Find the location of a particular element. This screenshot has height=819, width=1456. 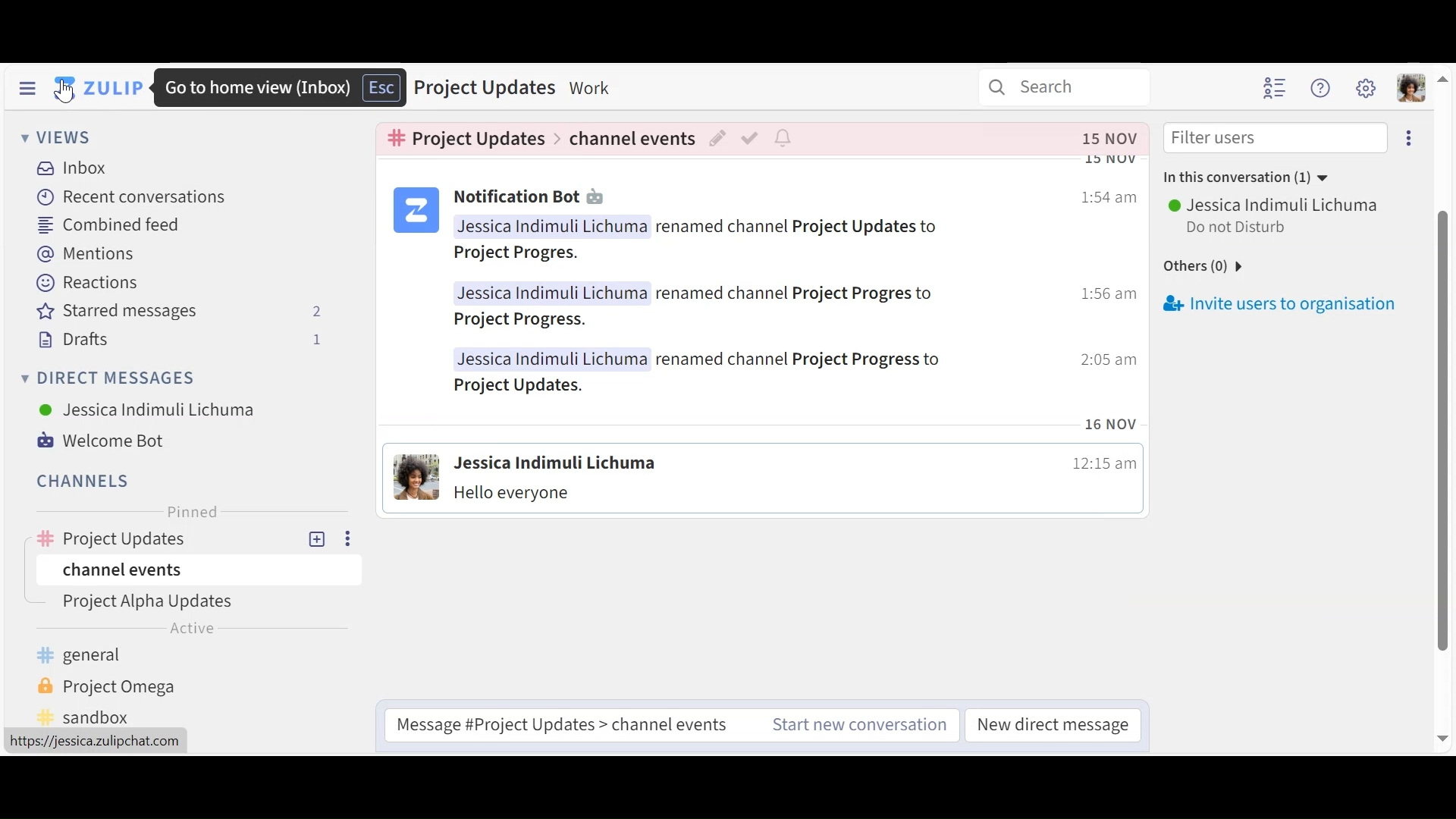

Help menu is located at coordinates (1320, 89).